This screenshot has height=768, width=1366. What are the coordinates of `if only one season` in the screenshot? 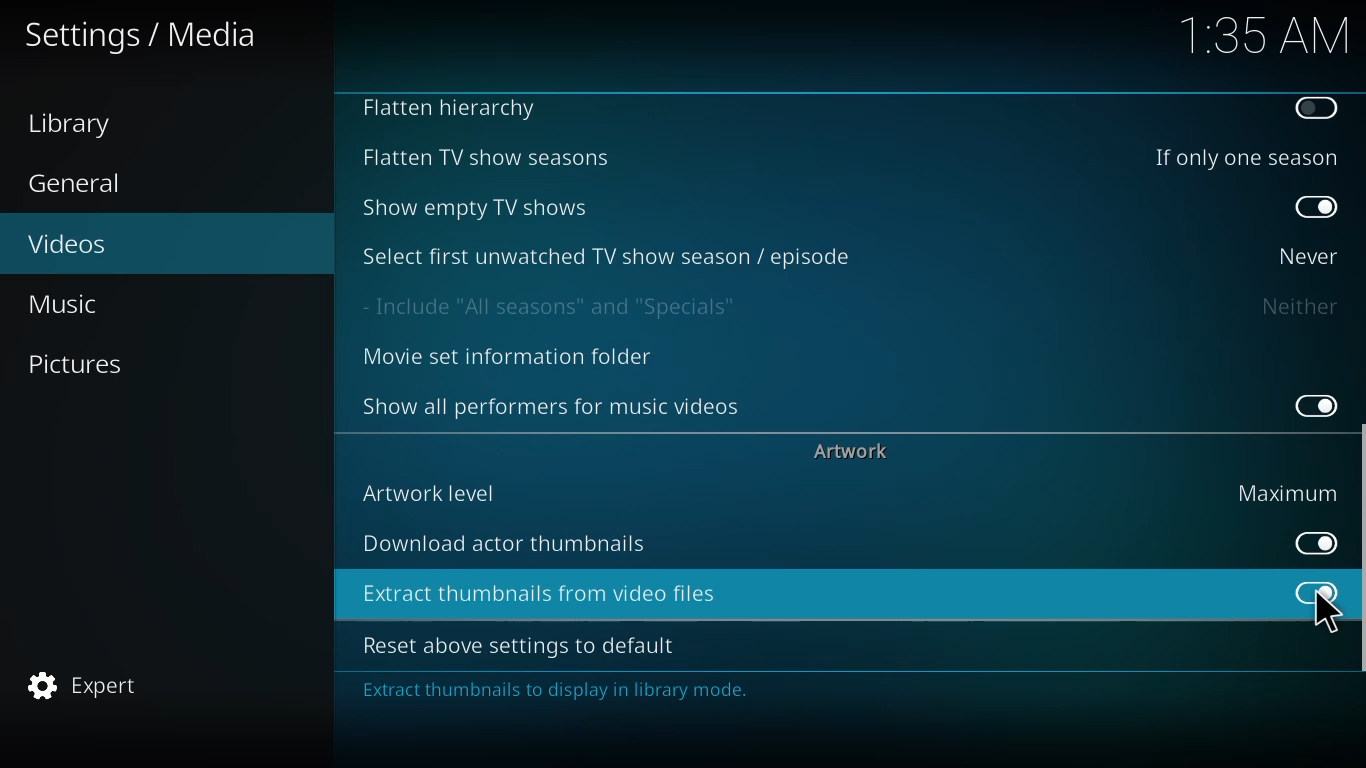 It's located at (1242, 156).